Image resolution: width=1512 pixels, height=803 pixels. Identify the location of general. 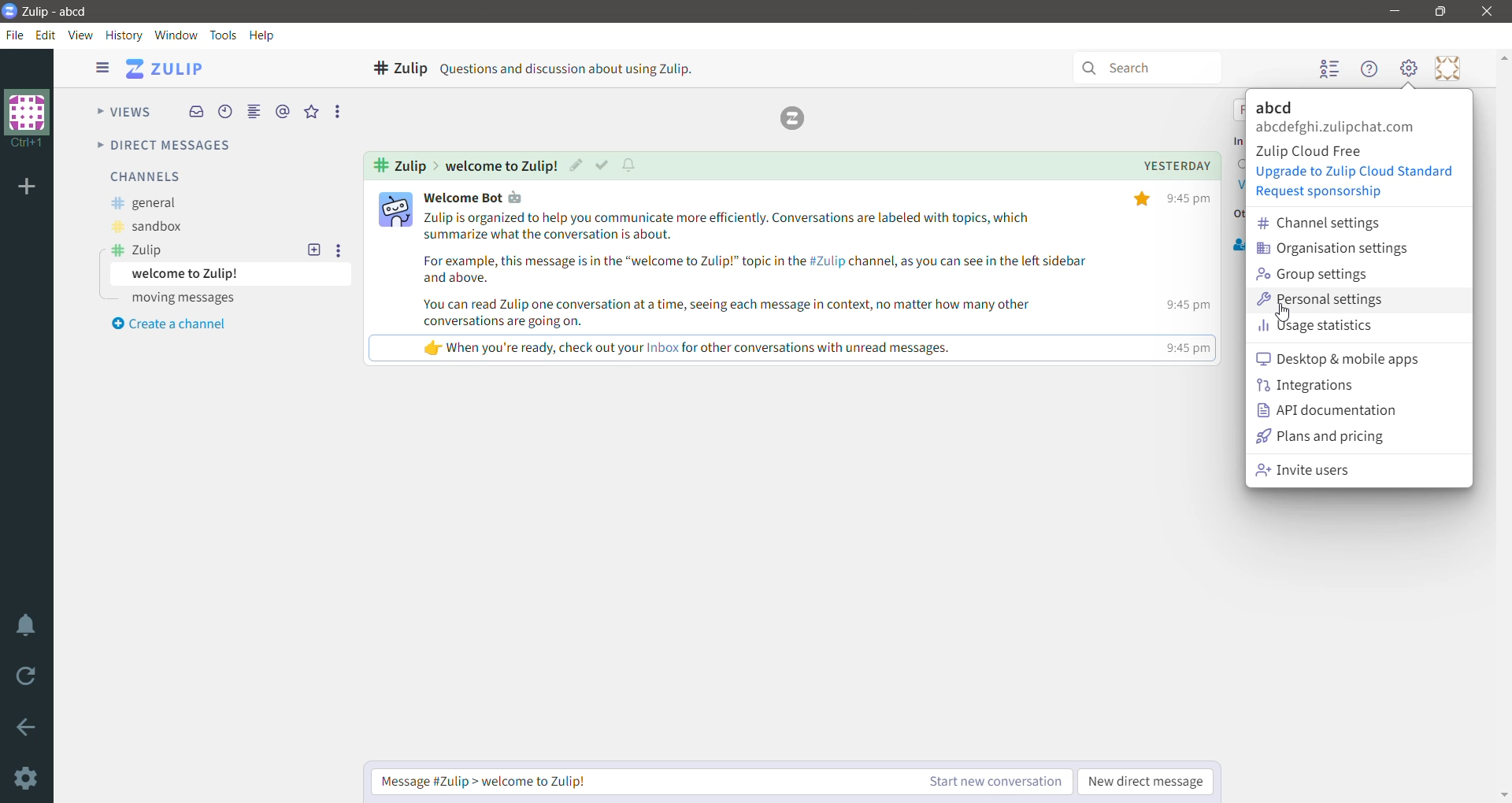
(145, 204).